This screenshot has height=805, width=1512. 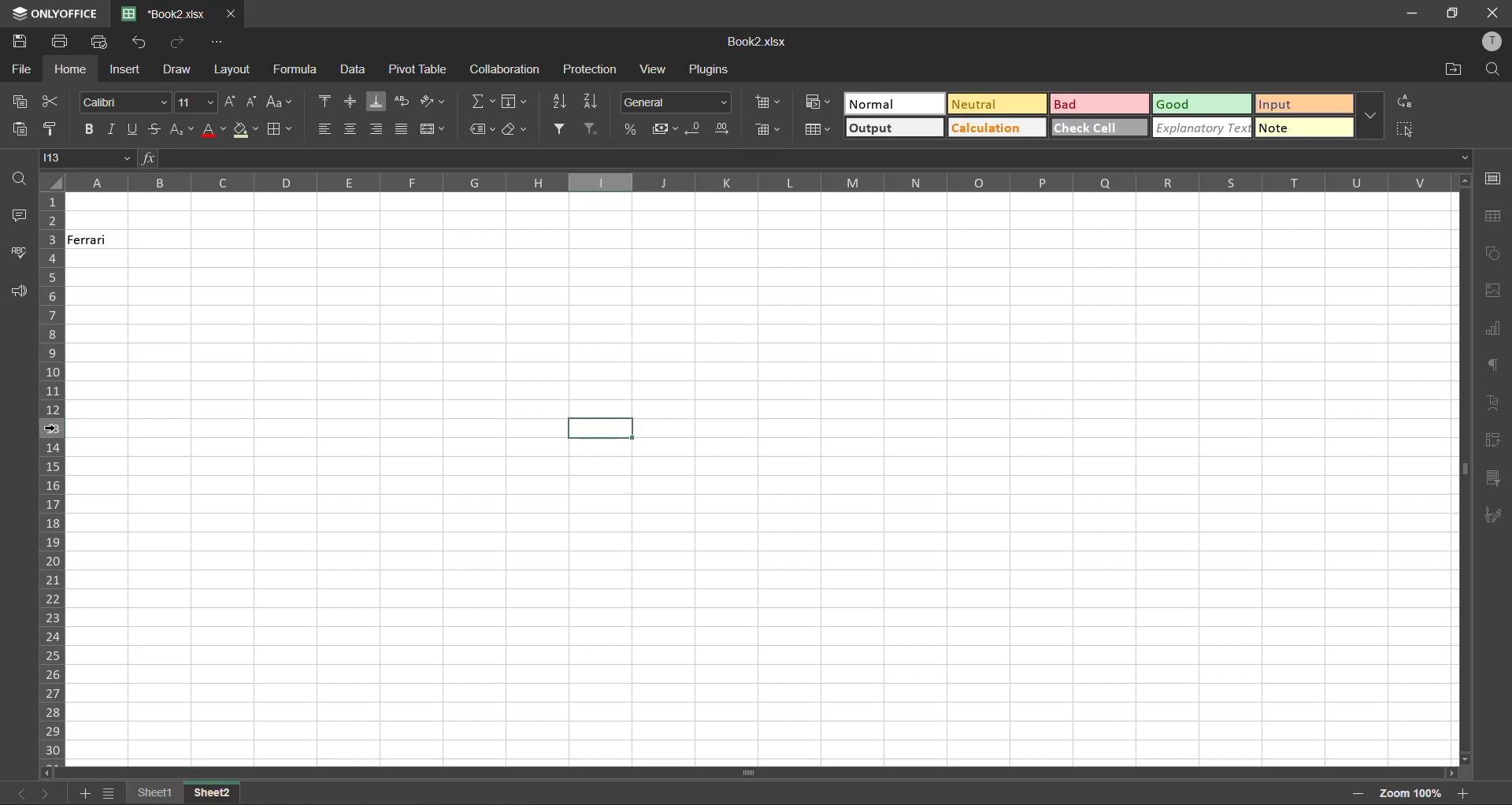 What do you see at coordinates (55, 13) in the screenshot?
I see `app name` at bounding box center [55, 13].